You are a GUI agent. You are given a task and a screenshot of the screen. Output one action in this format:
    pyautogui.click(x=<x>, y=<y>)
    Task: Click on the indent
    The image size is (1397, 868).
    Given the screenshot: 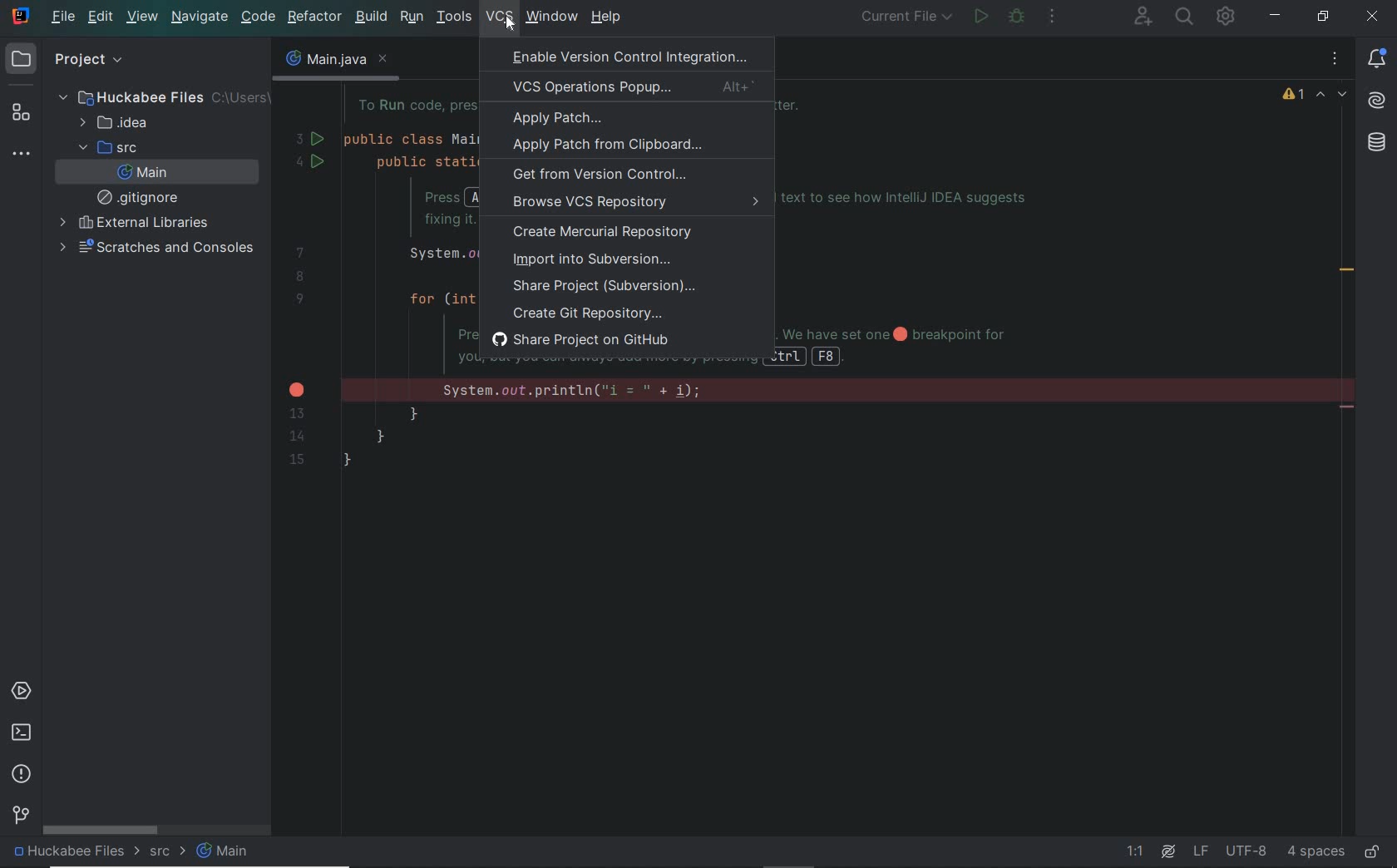 What is the action you would take?
    pyautogui.click(x=1314, y=851)
    